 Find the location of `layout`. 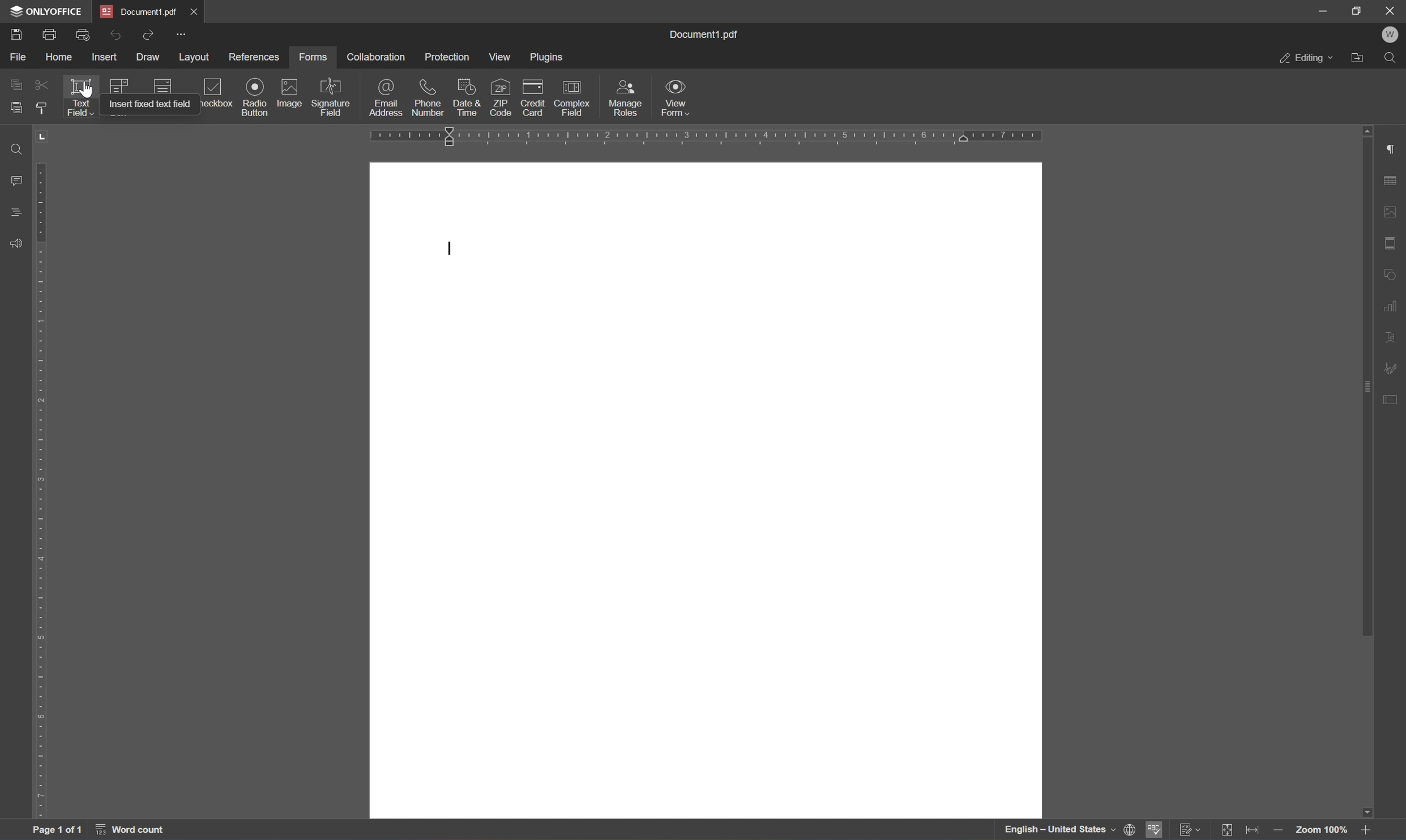

layout is located at coordinates (197, 57).